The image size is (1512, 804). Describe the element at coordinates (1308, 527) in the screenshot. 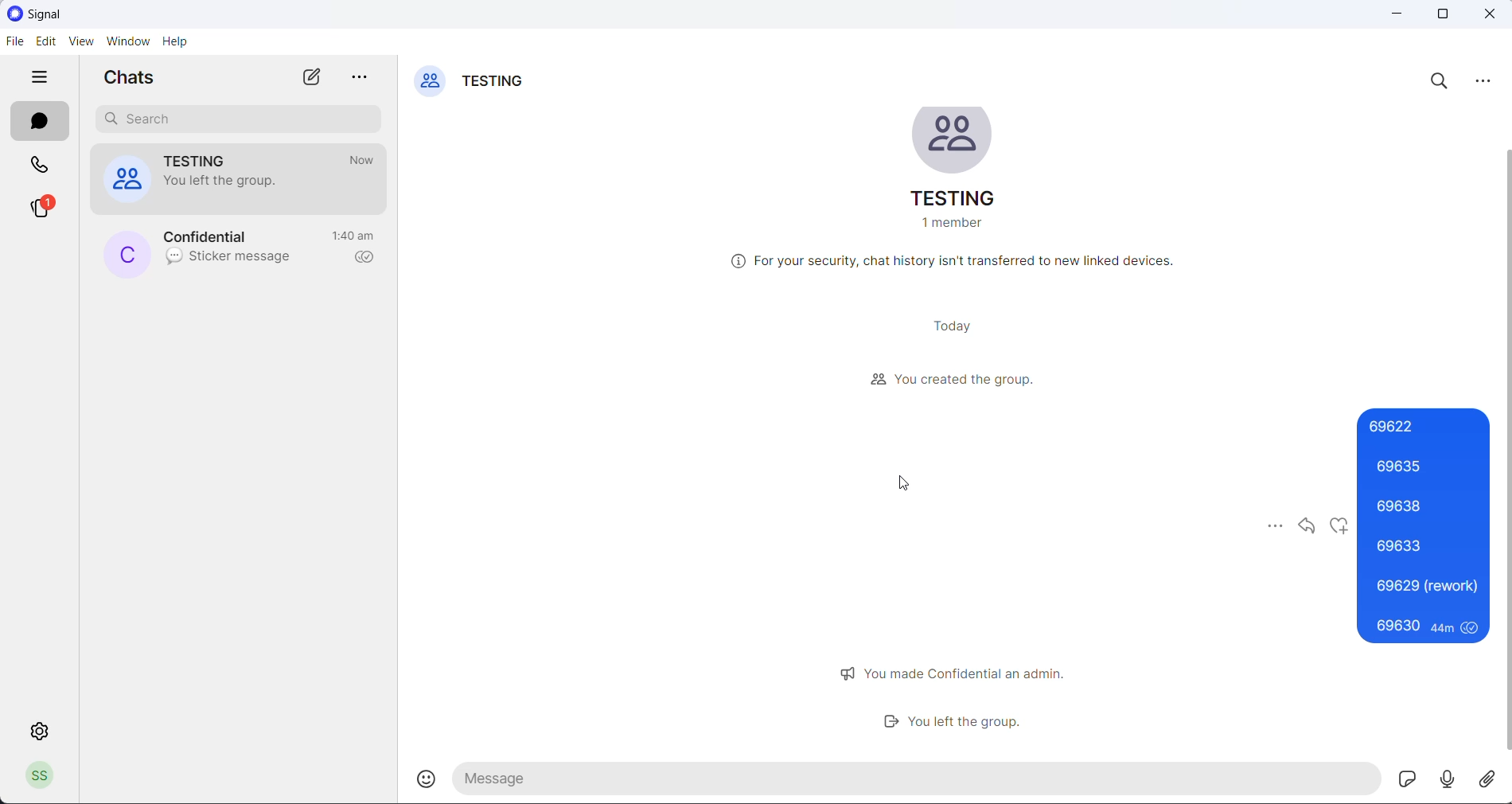

I see `reply` at that location.